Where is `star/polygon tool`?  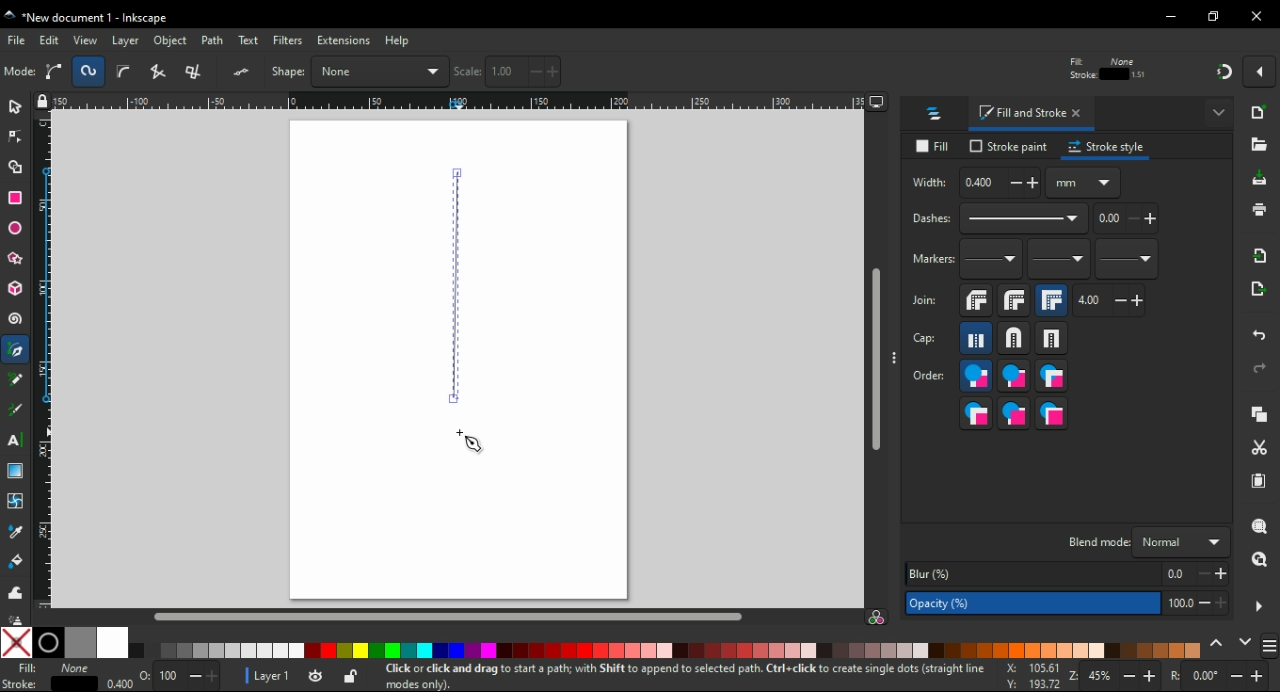
star/polygon tool is located at coordinates (17, 258).